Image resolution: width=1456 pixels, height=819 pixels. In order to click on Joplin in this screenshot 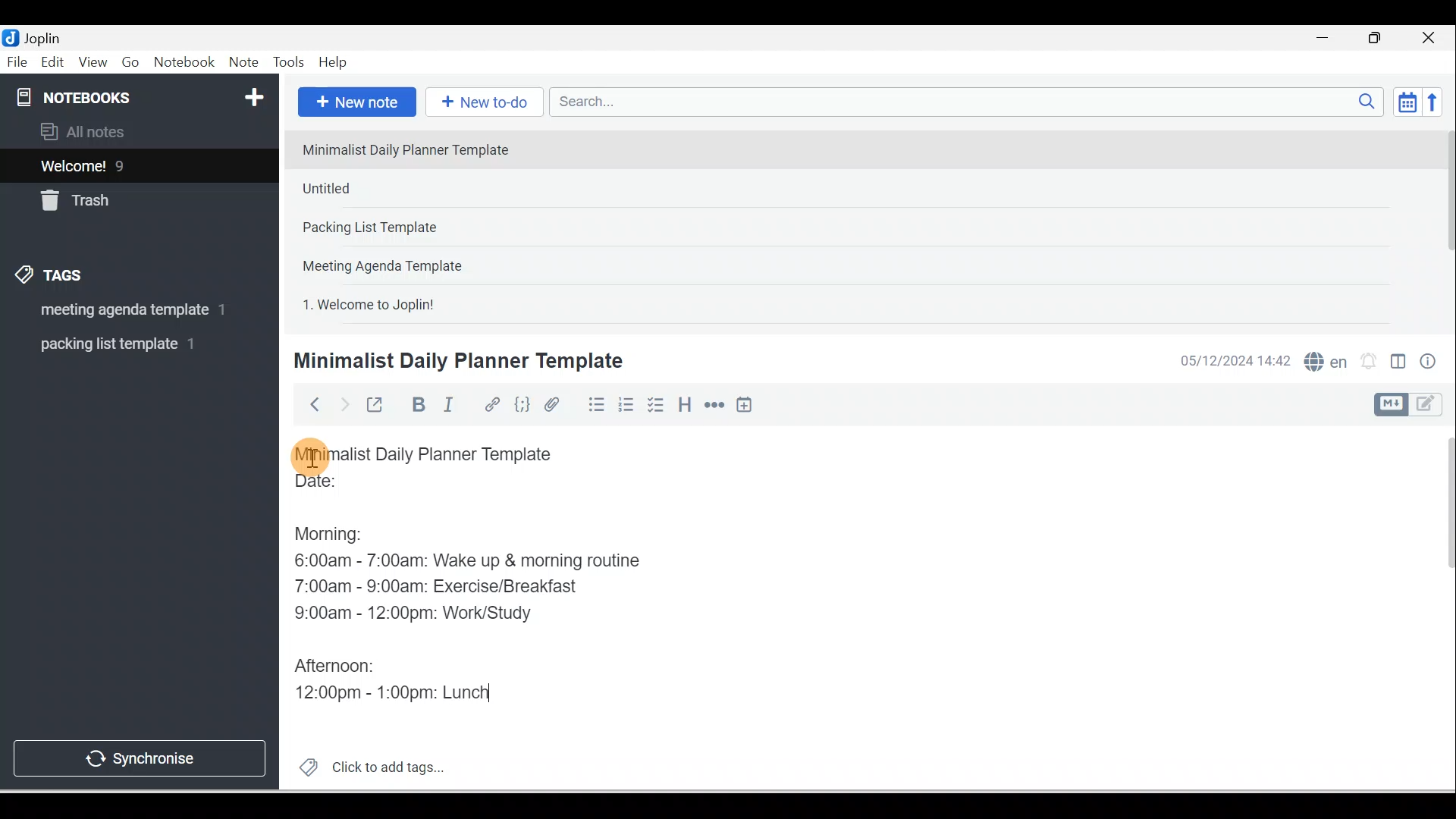, I will do `click(46, 36)`.